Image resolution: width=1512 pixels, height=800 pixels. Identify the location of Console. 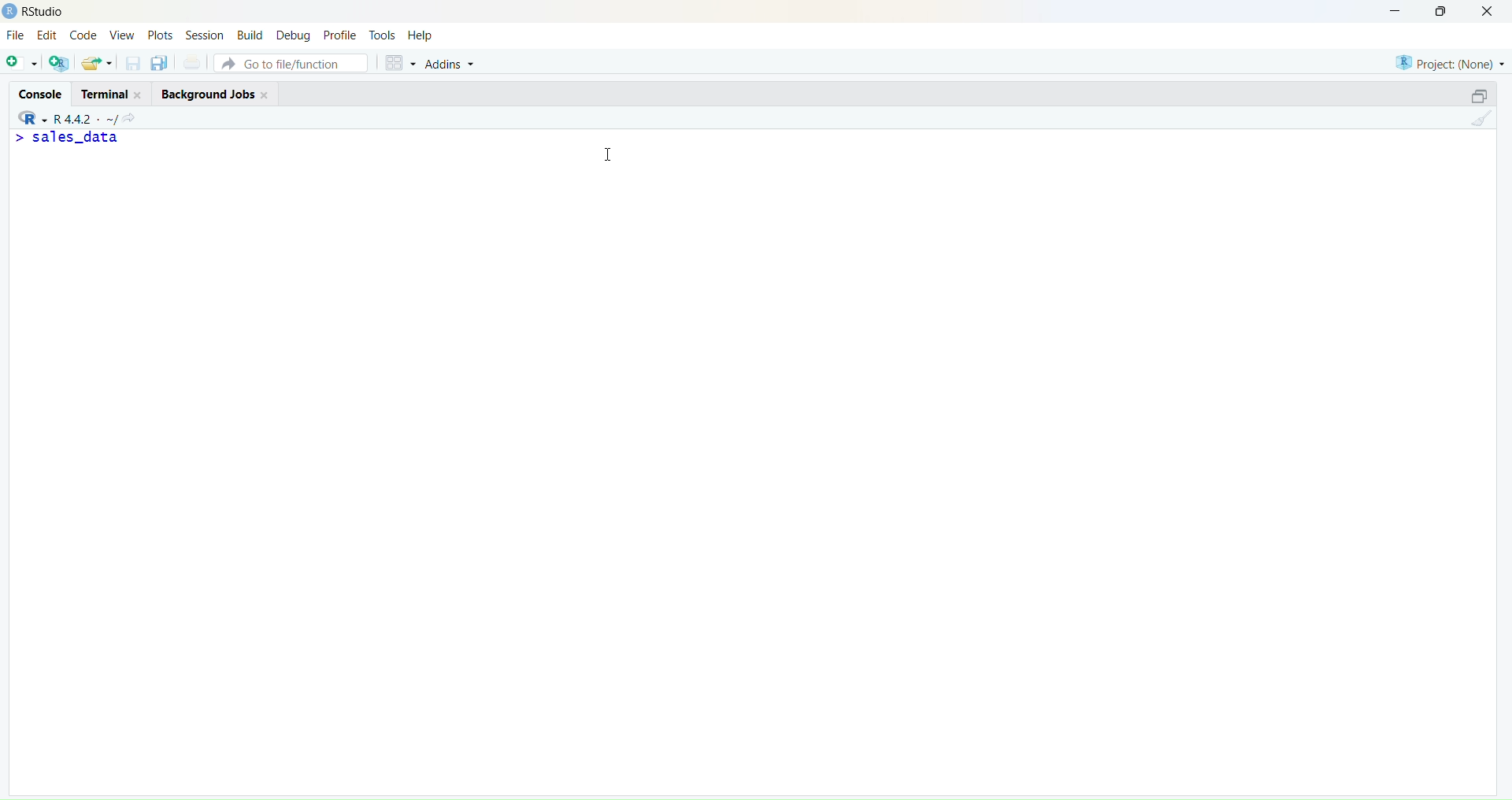
(37, 91).